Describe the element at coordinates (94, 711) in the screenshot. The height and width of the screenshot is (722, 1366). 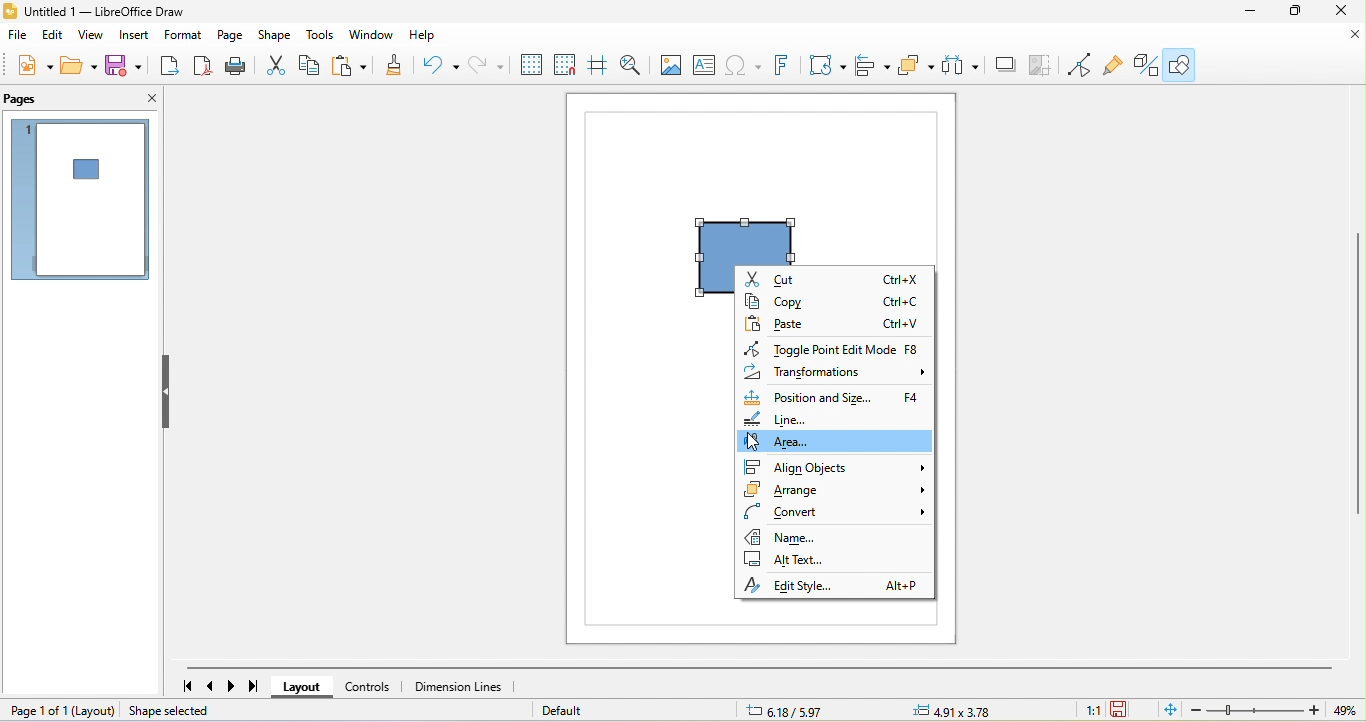
I see `layout` at that location.